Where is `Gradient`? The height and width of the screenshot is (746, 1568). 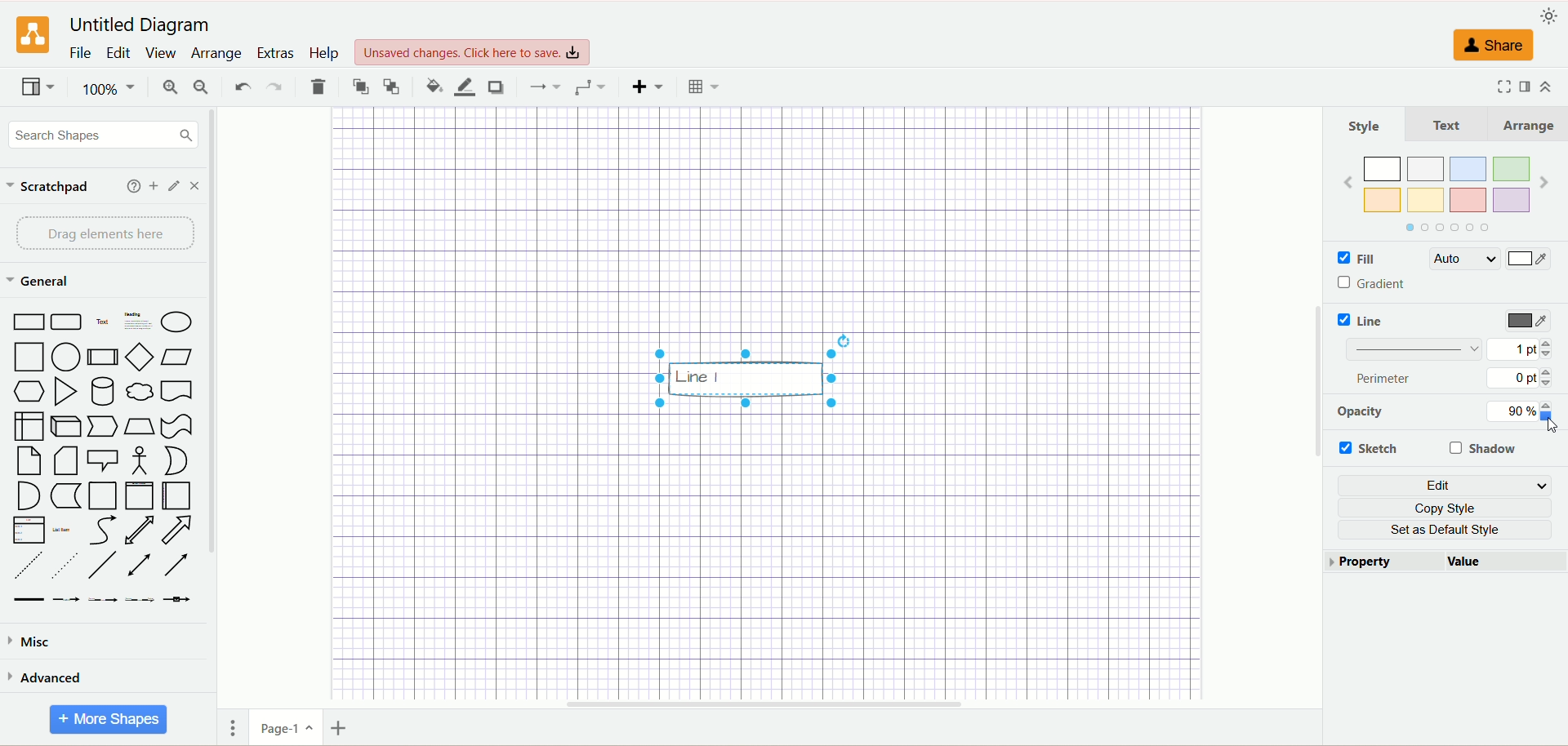
Gradient is located at coordinates (1383, 281).